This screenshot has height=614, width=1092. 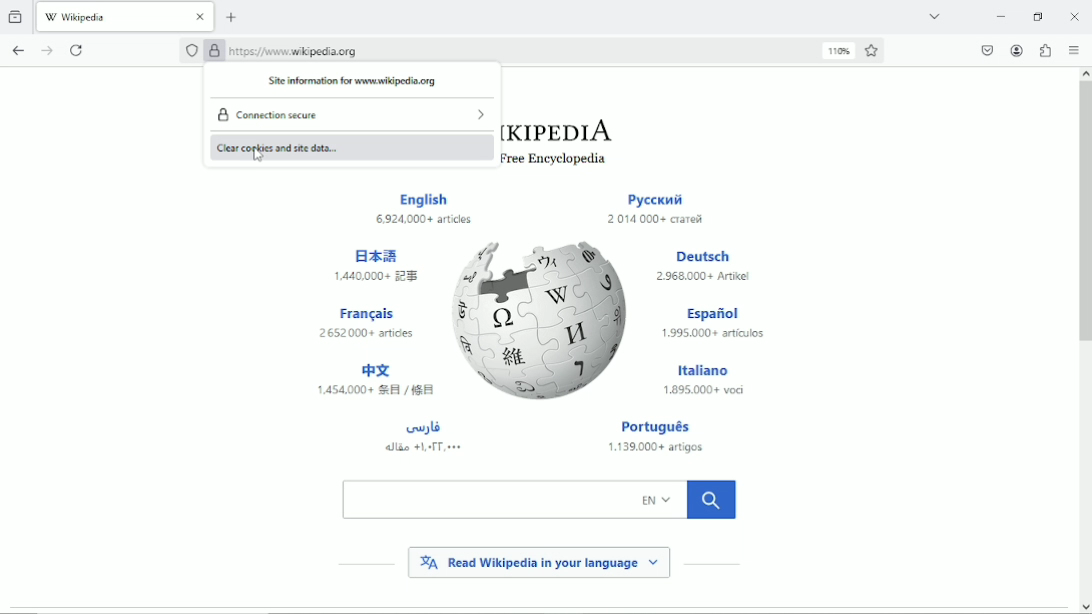 What do you see at coordinates (423, 436) in the screenshot?
I see `foreign language` at bounding box center [423, 436].